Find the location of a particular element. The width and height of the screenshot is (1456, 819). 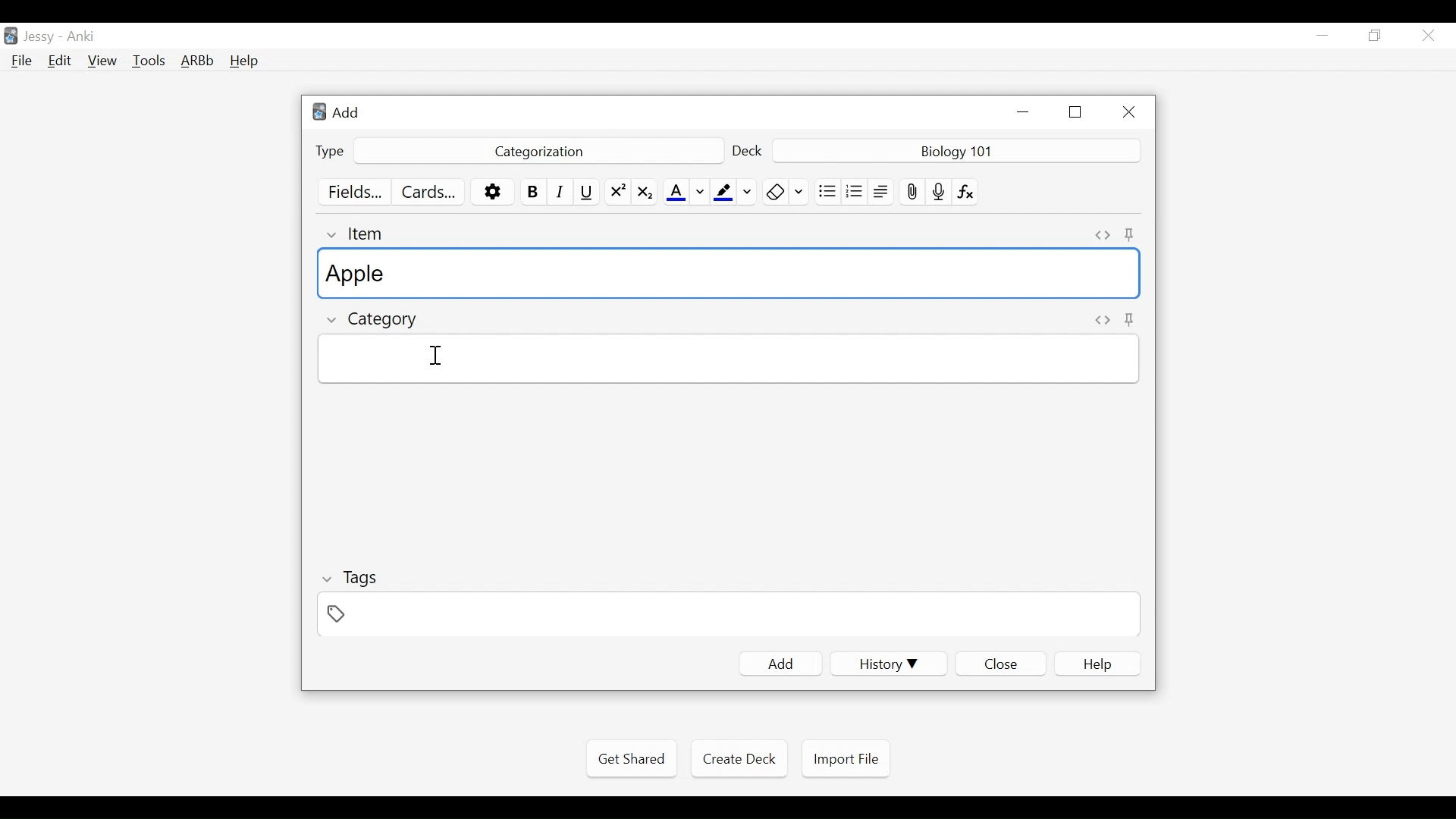

Subscript is located at coordinates (645, 192).